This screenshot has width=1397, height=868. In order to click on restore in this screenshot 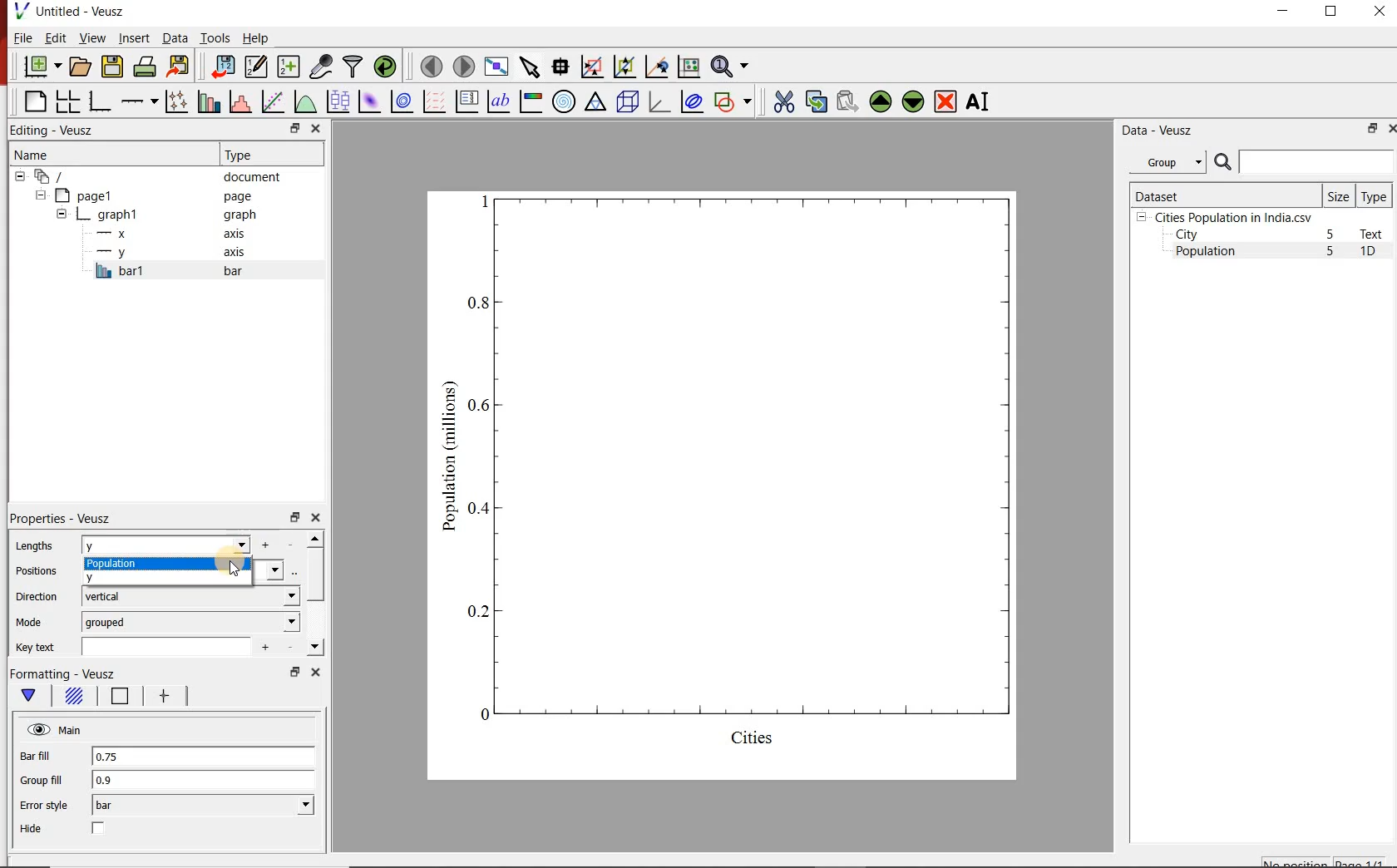, I will do `click(294, 672)`.